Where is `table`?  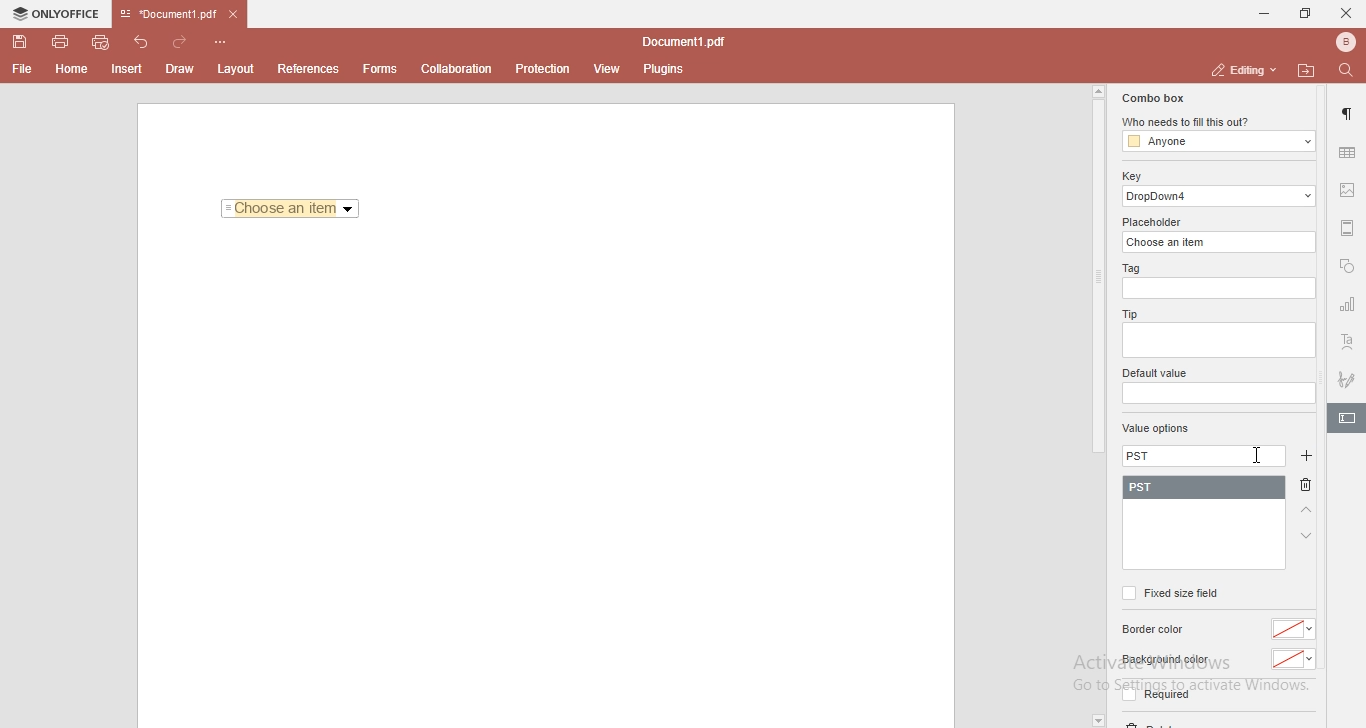 table is located at coordinates (1347, 152).